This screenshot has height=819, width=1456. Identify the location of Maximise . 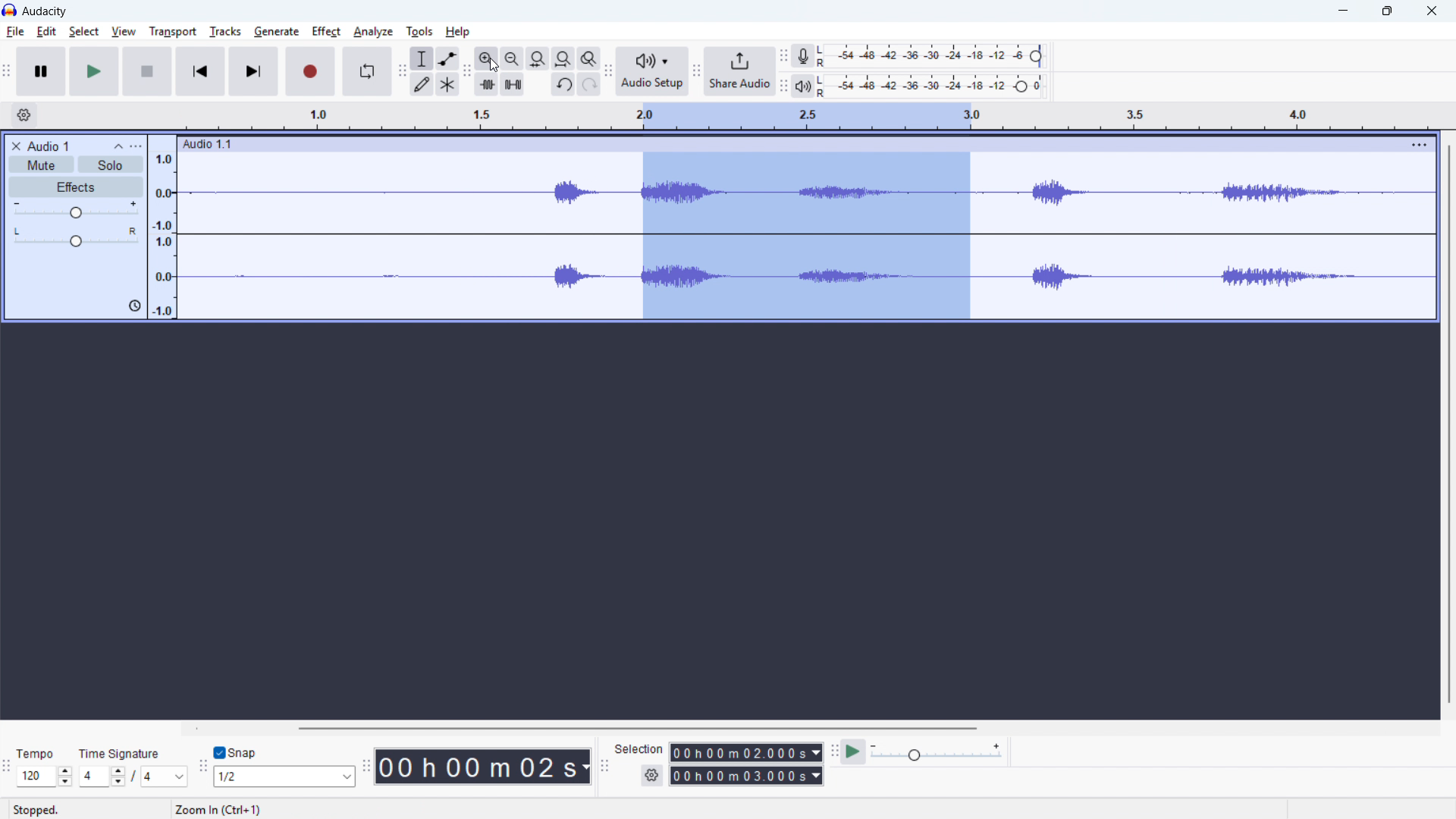
(1388, 11).